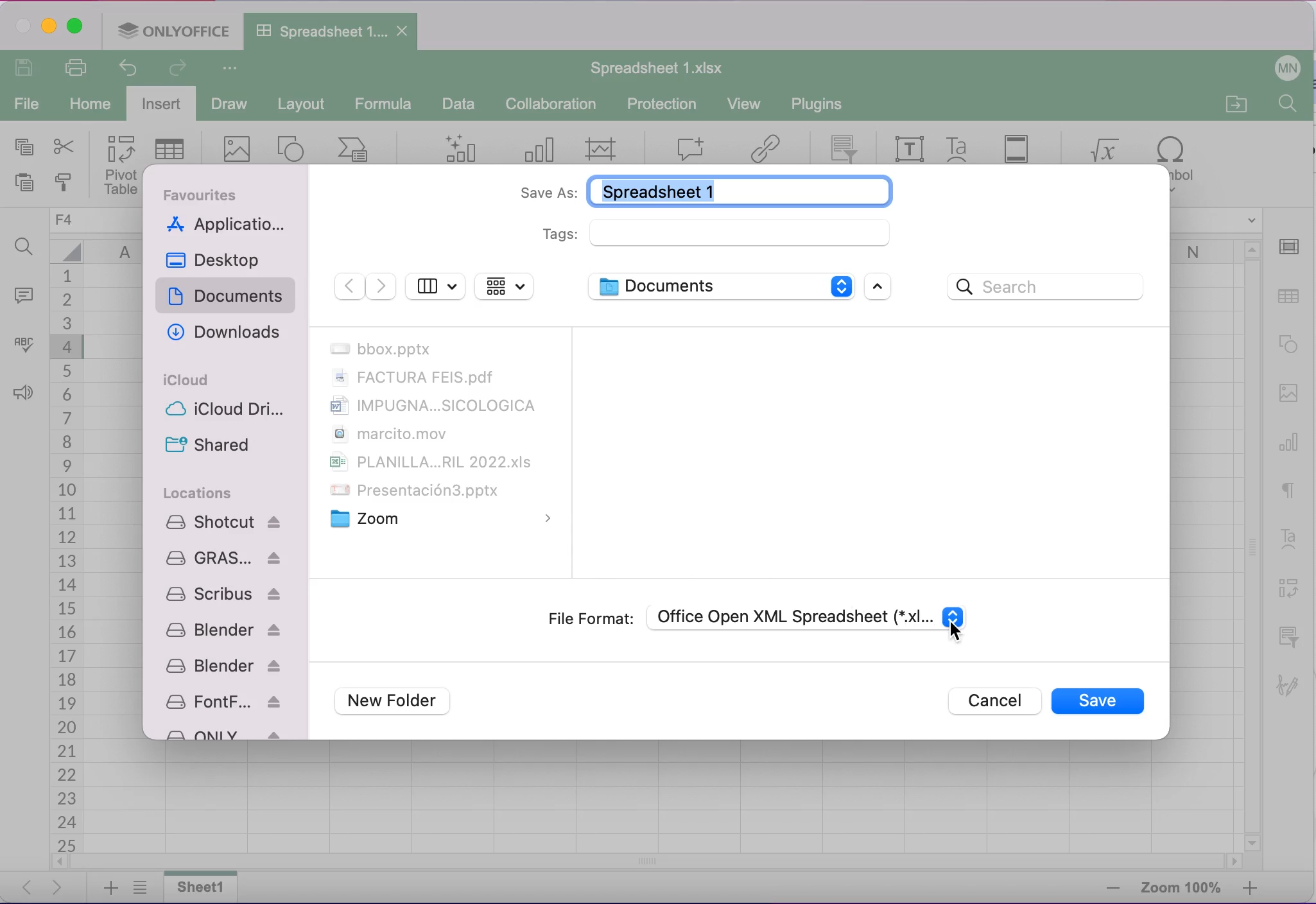 Image resolution: width=1316 pixels, height=904 pixels. What do you see at coordinates (991, 701) in the screenshot?
I see `cancel` at bounding box center [991, 701].